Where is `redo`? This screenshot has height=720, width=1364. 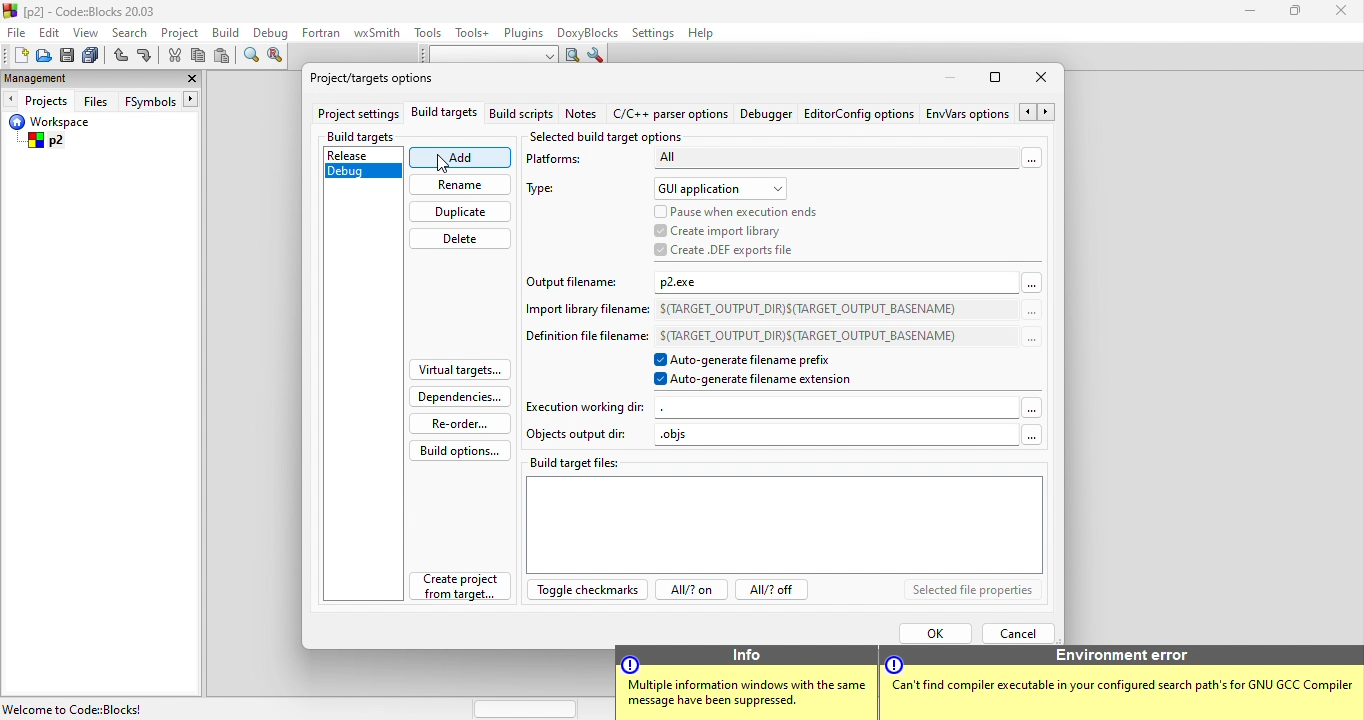
redo is located at coordinates (145, 57).